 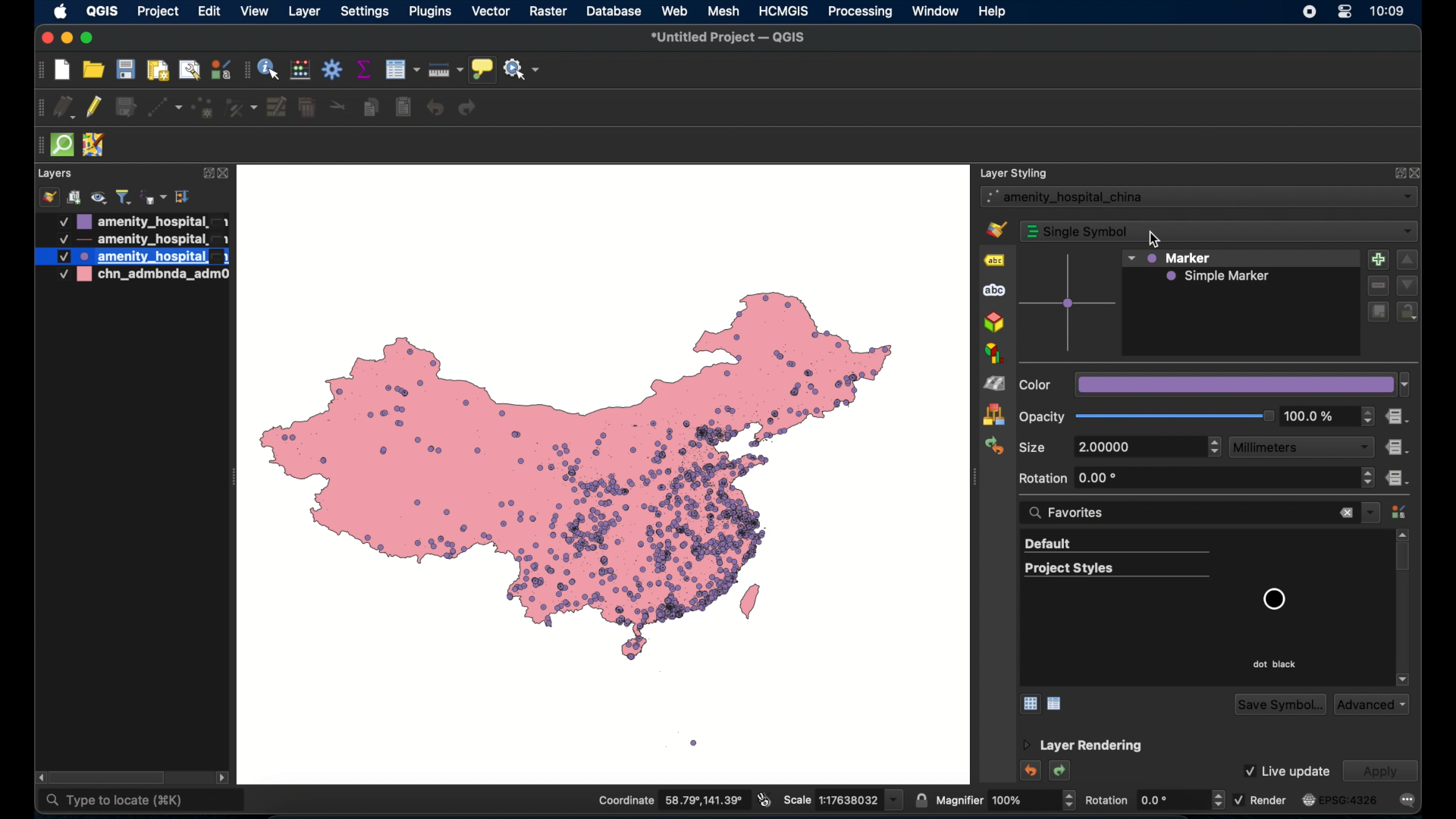 What do you see at coordinates (141, 240) in the screenshot?
I see `layer 2` at bounding box center [141, 240].